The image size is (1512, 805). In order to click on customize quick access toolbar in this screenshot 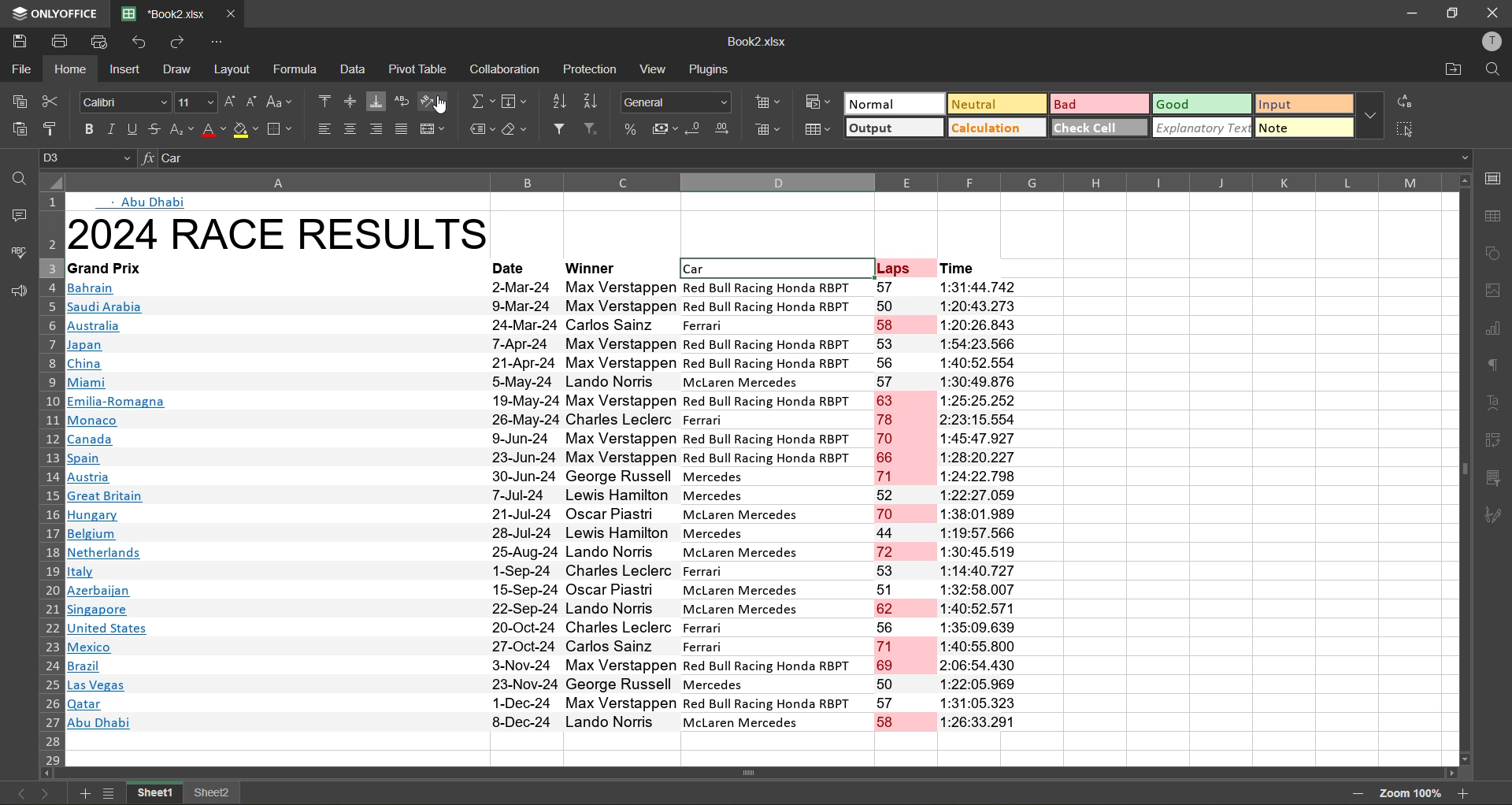, I will do `click(217, 42)`.